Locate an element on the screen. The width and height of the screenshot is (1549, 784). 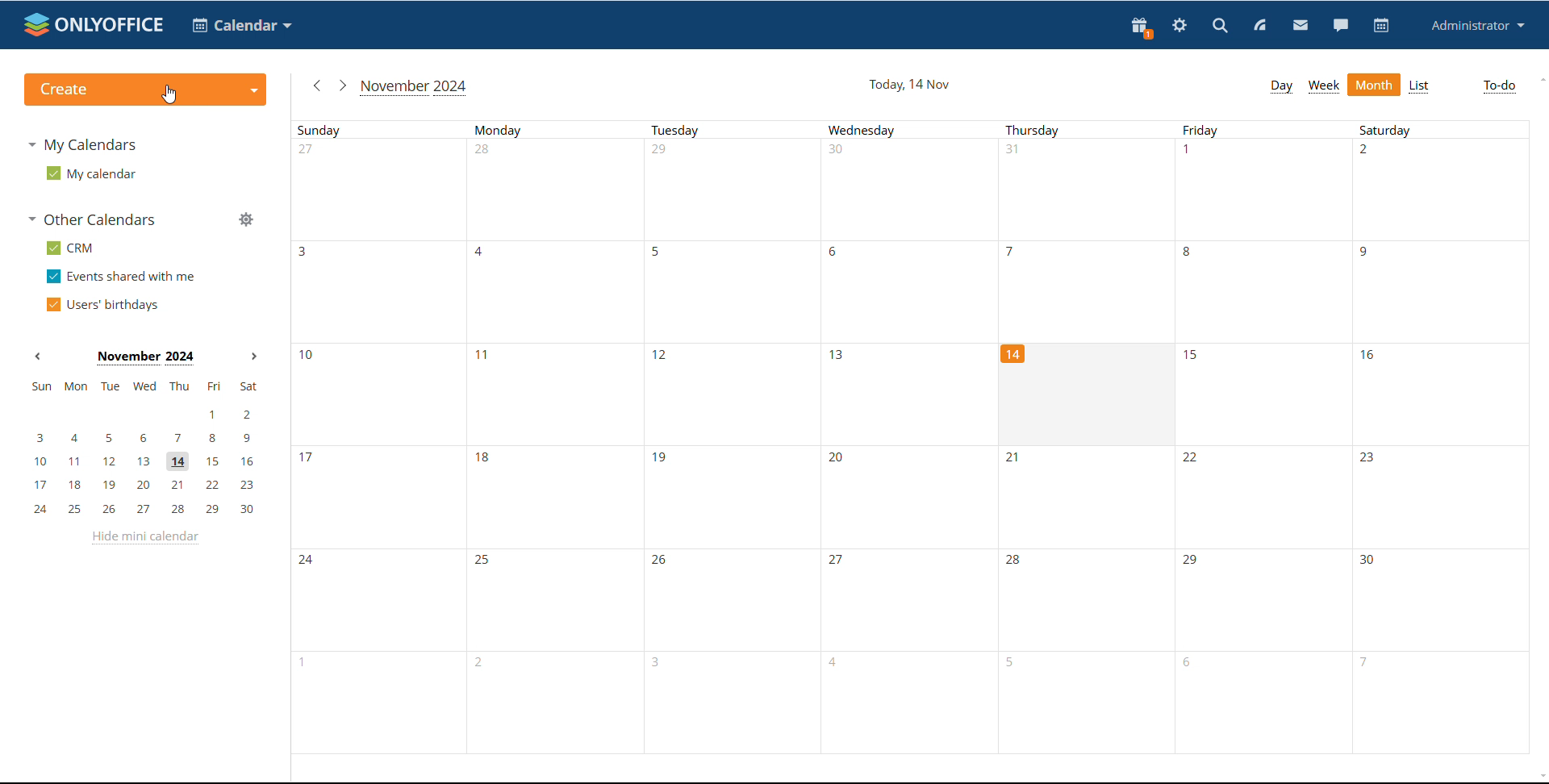
mail is located at coordinates (1301, 27).